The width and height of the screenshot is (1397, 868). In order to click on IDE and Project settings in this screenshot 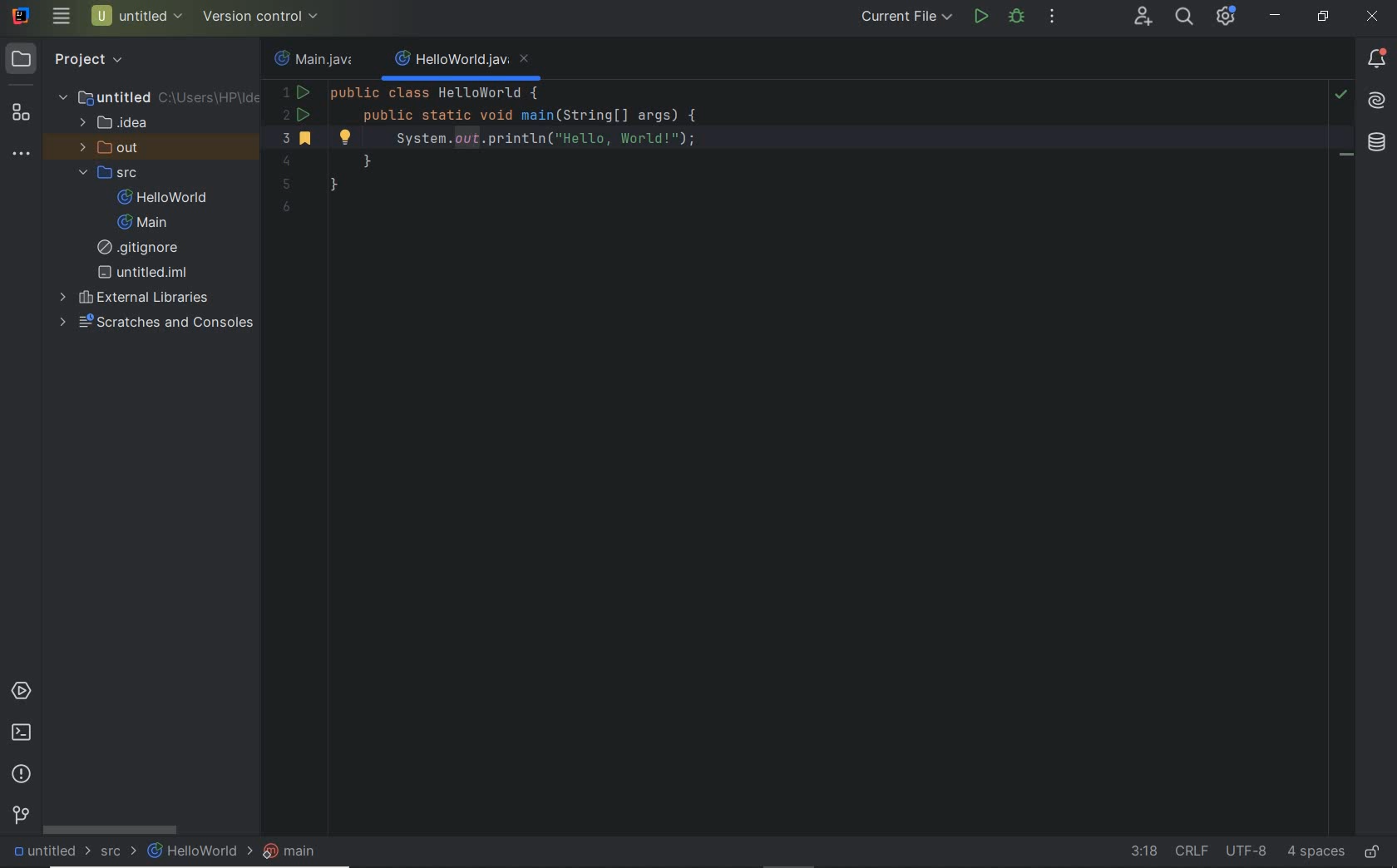, I will do `click(1227, 18)`.